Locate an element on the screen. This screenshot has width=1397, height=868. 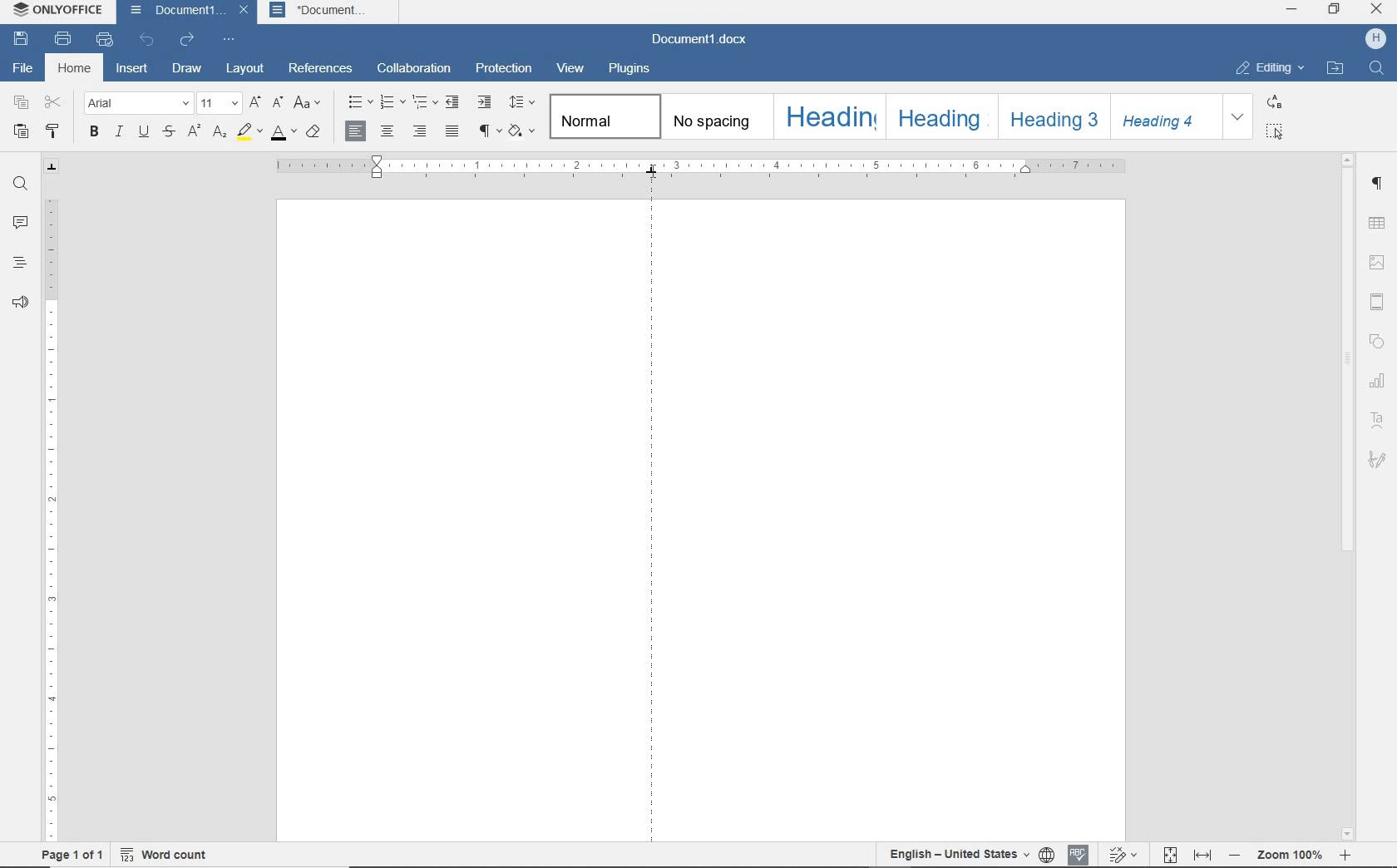
close is located at coordinates (242, 12).